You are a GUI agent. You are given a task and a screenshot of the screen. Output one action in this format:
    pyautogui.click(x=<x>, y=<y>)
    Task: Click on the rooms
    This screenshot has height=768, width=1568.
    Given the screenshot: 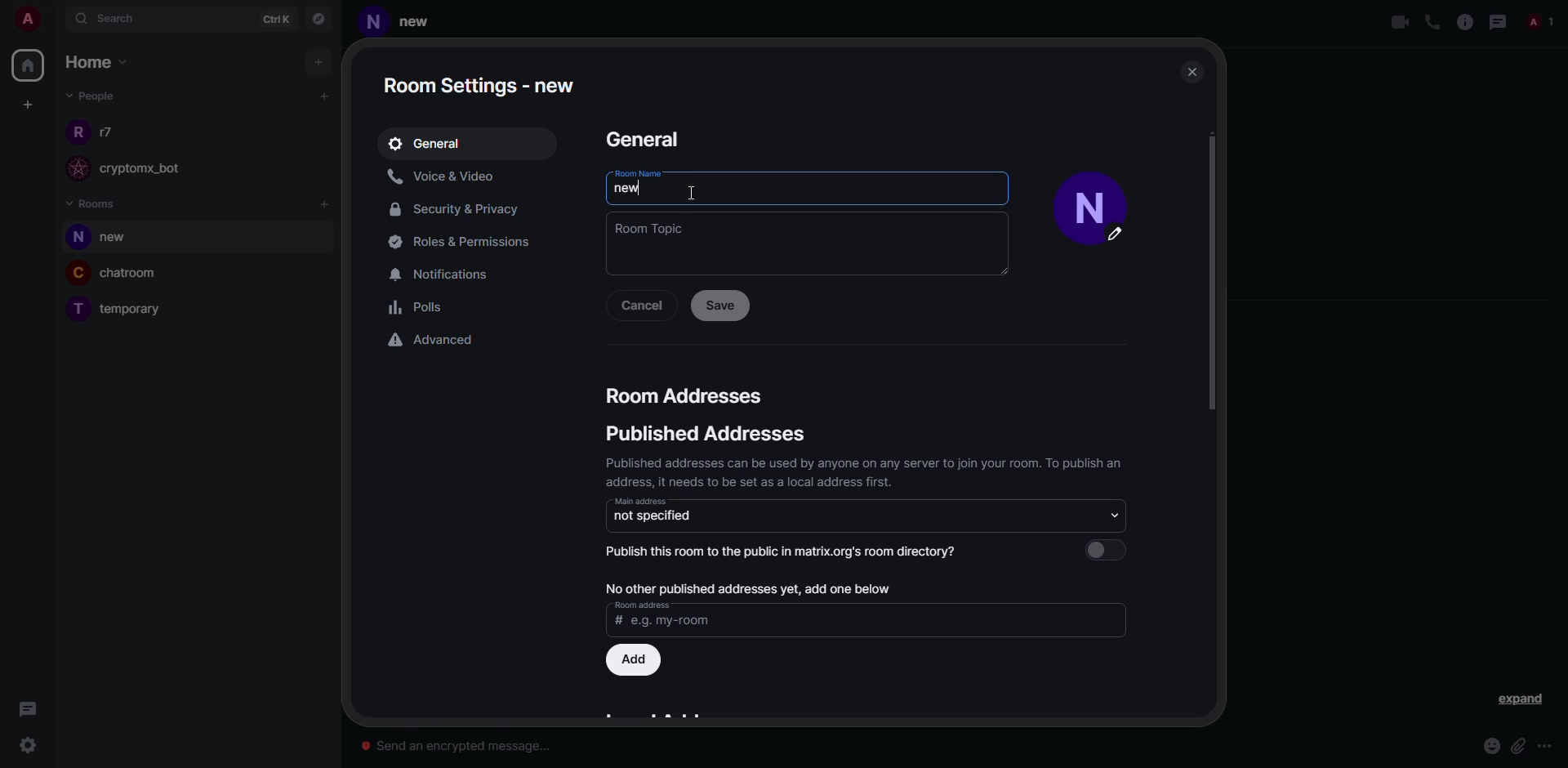 What is the action you would take?
    pyautogui.click(x=93, y=203)
    